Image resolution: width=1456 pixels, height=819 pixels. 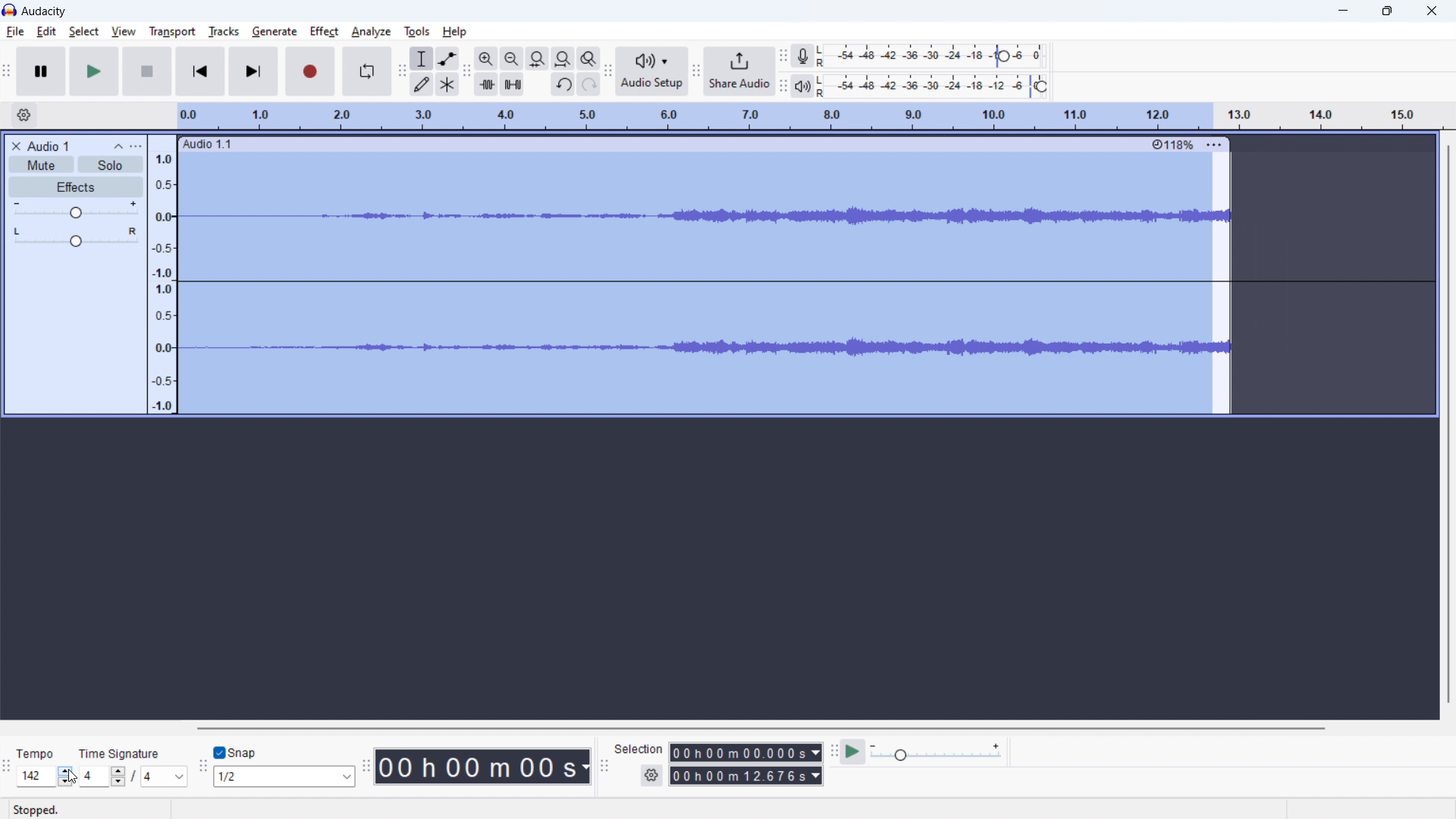 What do you see at coordinates (1444, 421) in the screenshot?
I see `Scrollbar` at bounding box center [1444, 421].